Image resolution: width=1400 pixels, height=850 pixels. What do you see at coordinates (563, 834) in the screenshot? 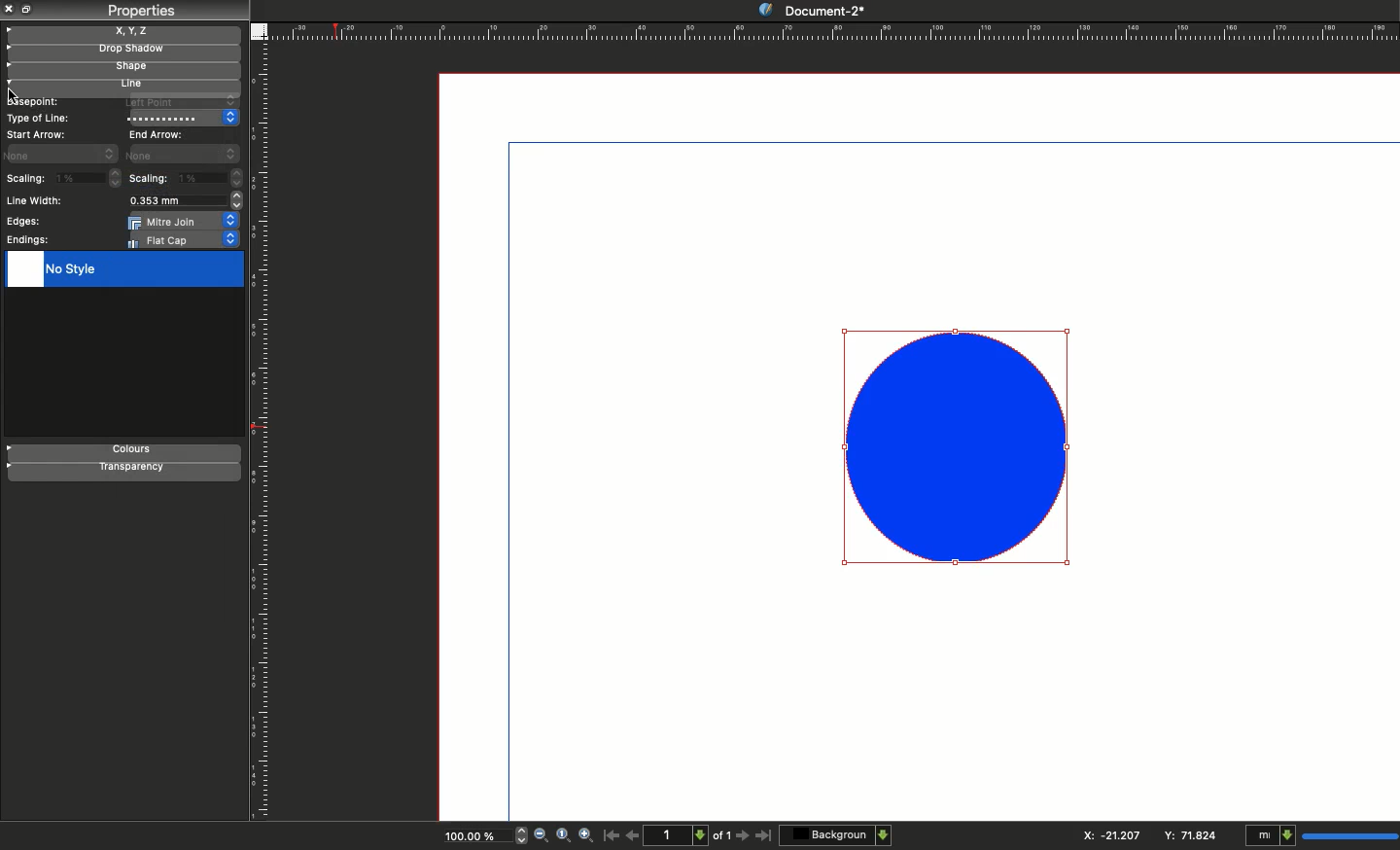
I see `Zoom to` at bounding box center [563, 834].